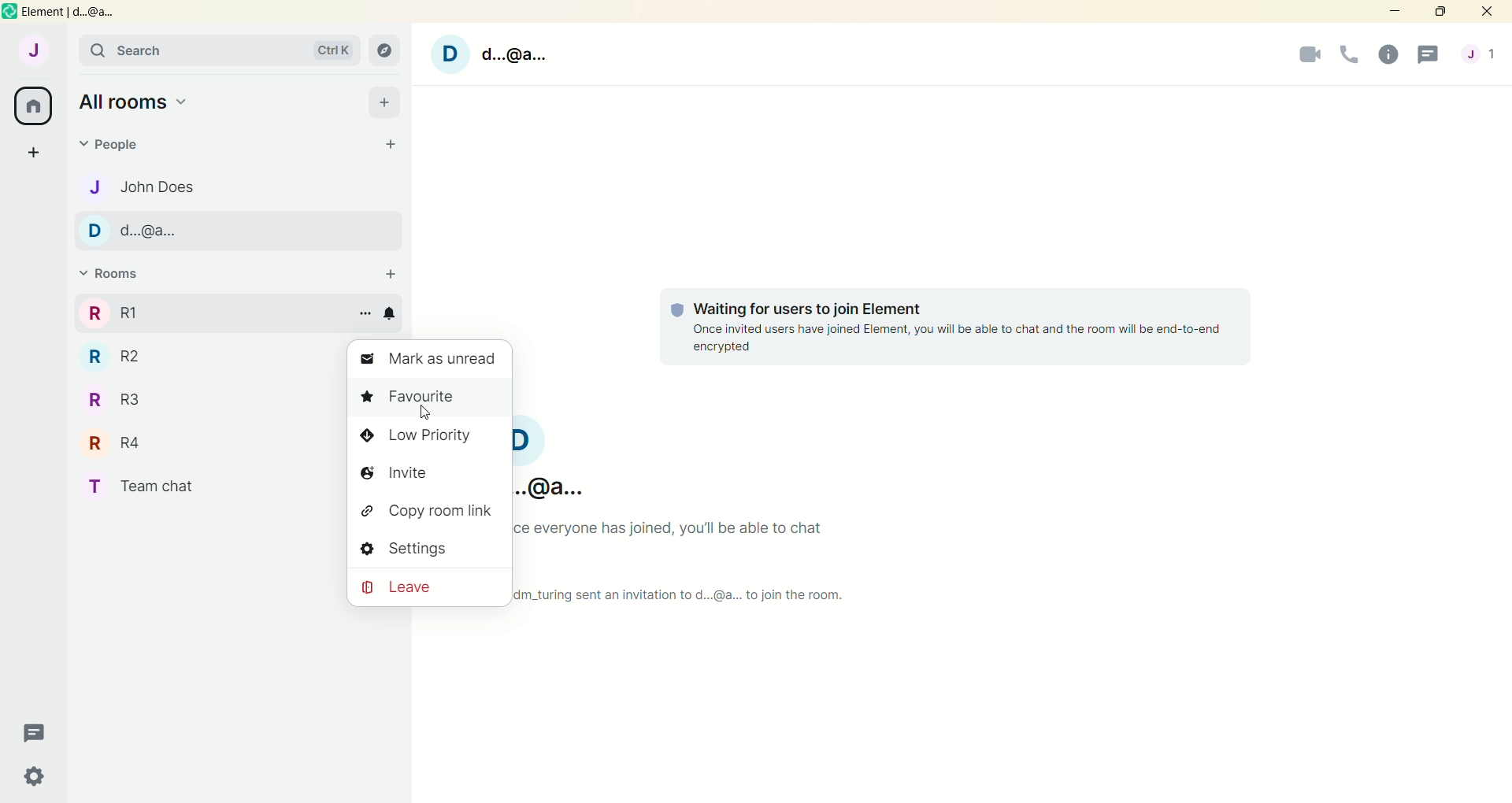 The height and width of the screenshot is (803, 1512). What do you see at coordinates (362, 310) in the screenshot?
I see `More Options` at bounding box center [362, 310].